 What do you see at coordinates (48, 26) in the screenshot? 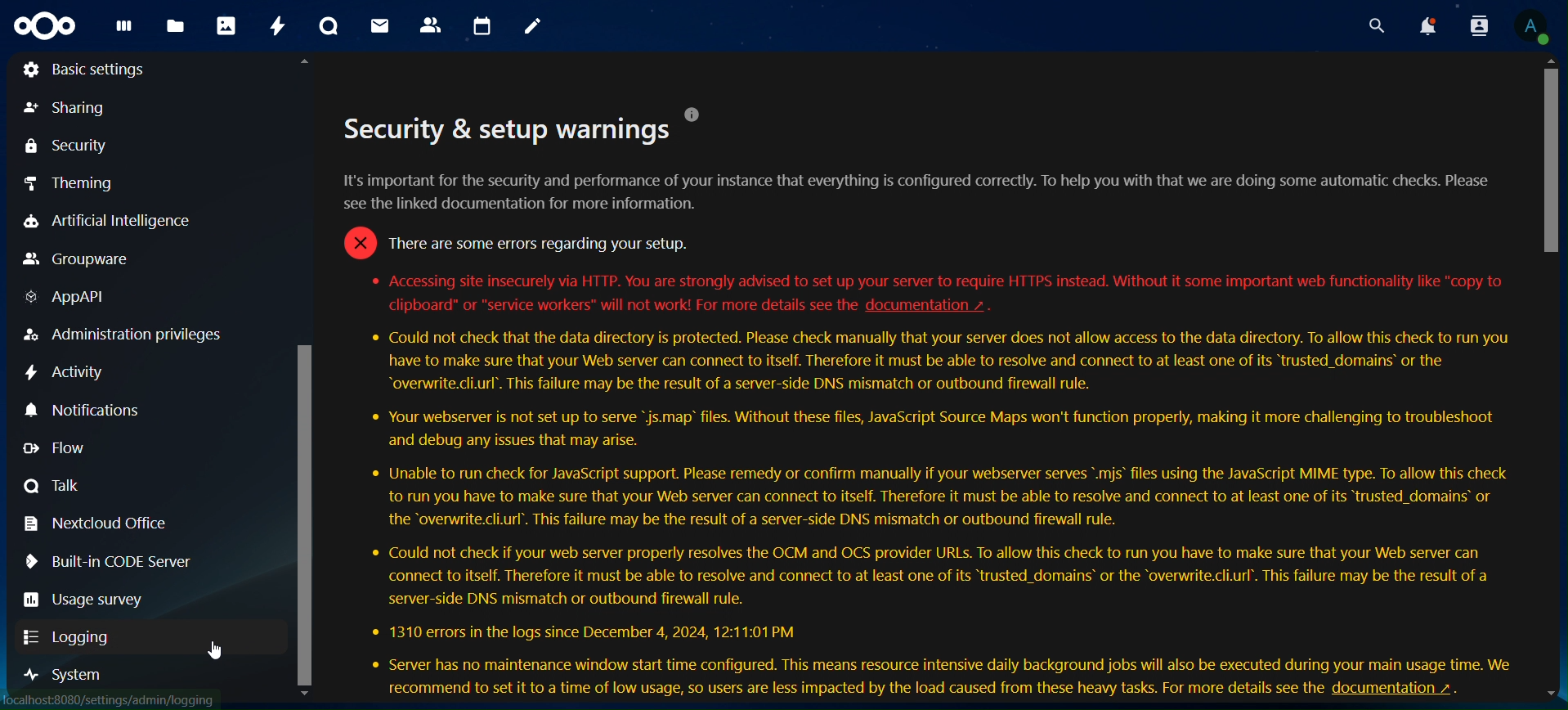
I see `icon` at bounding box center [48, 26].